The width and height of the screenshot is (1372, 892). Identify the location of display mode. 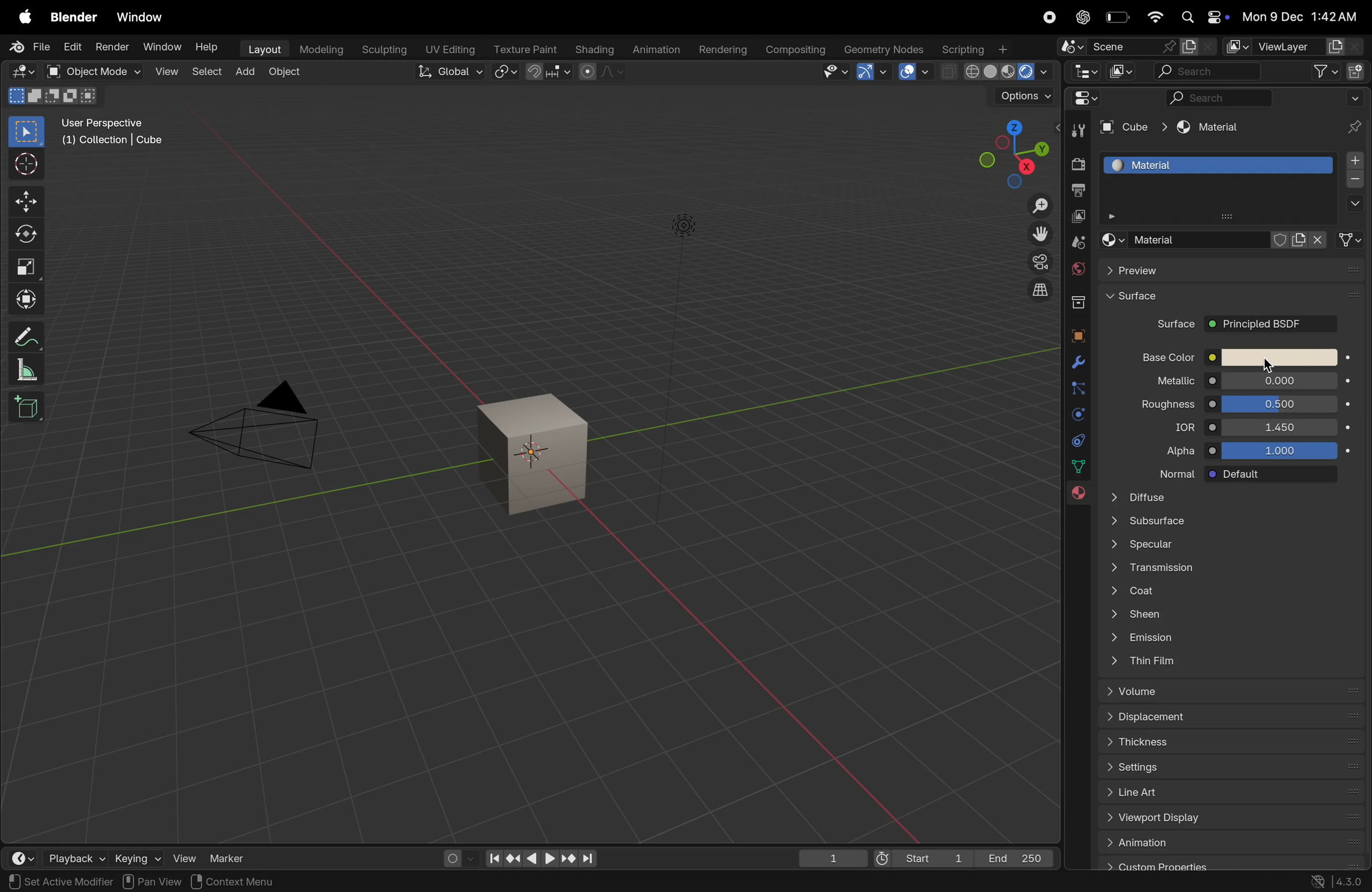
(1120, 70).